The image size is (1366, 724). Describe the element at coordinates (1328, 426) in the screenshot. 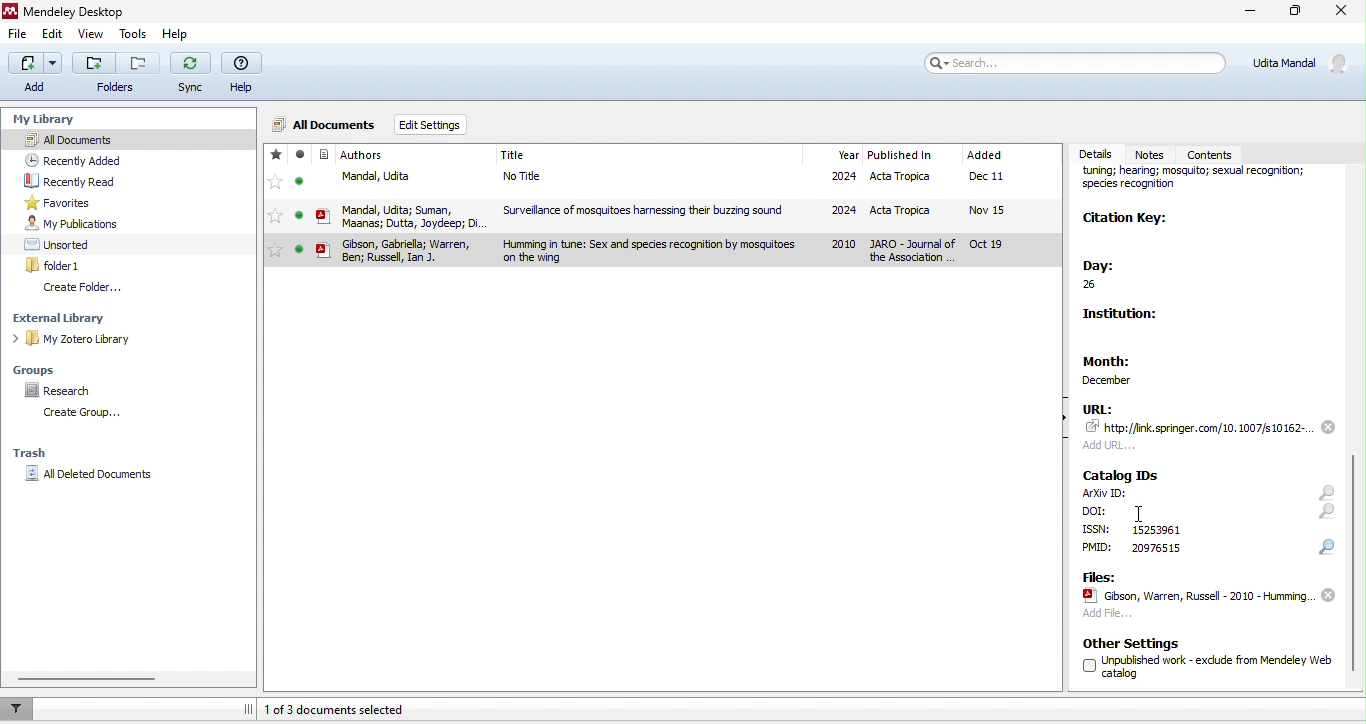

I see `remove` at that location.